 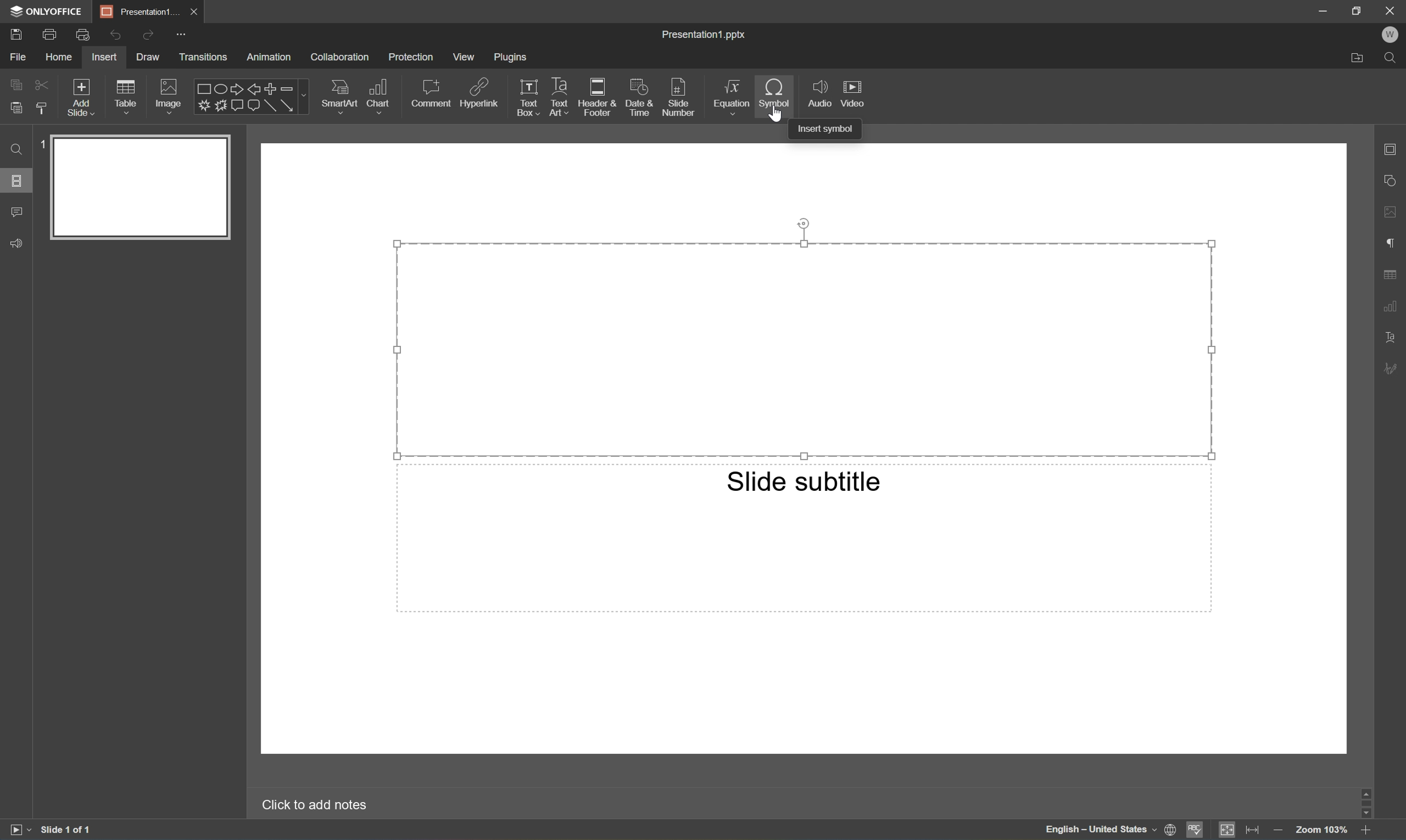 What do you see at coordinates (17, 34) in the screenshot?
I see `Save` at bounding box center [17, 34].